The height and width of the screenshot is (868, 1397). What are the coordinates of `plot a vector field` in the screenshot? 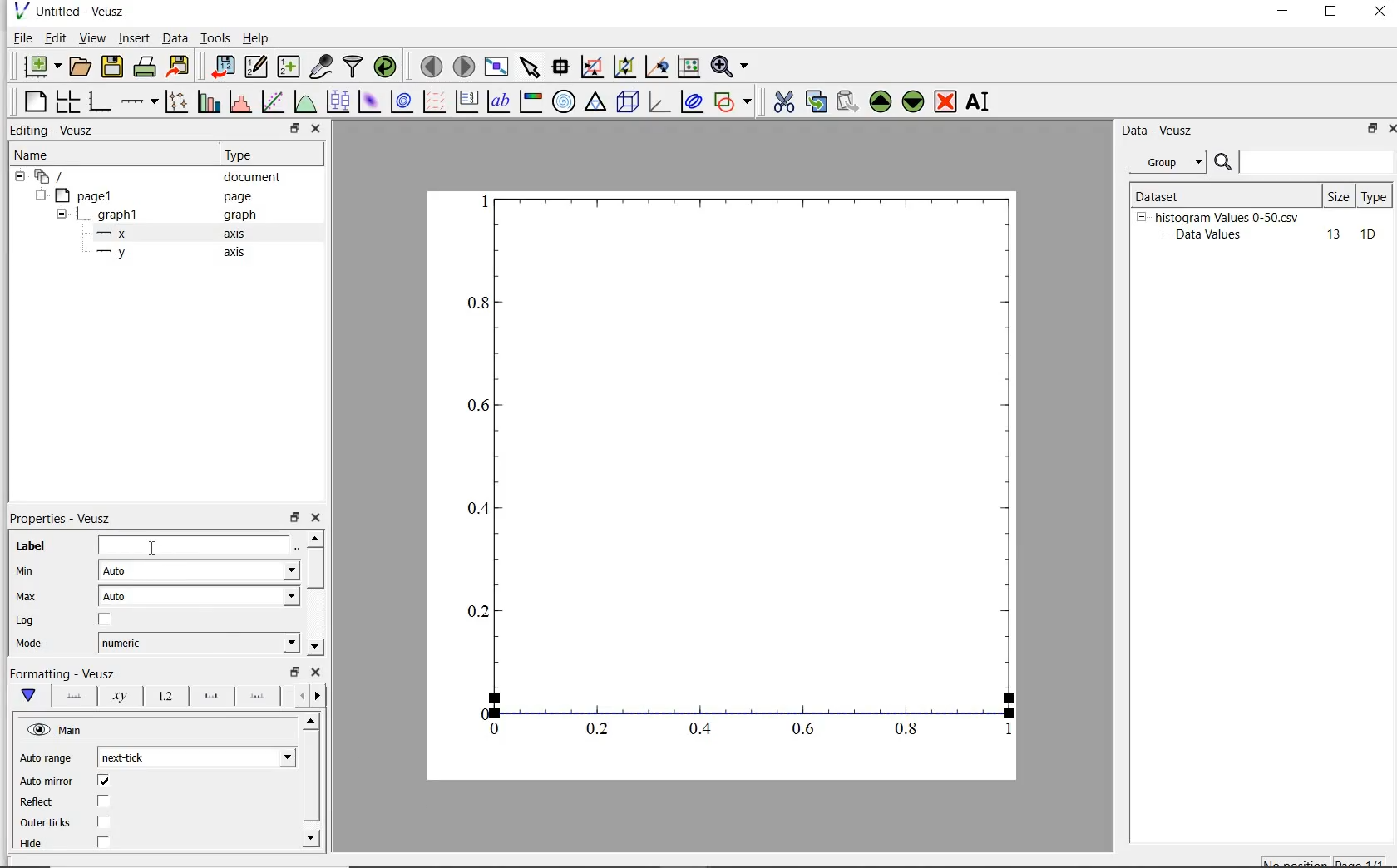 It's located at (436, 101).